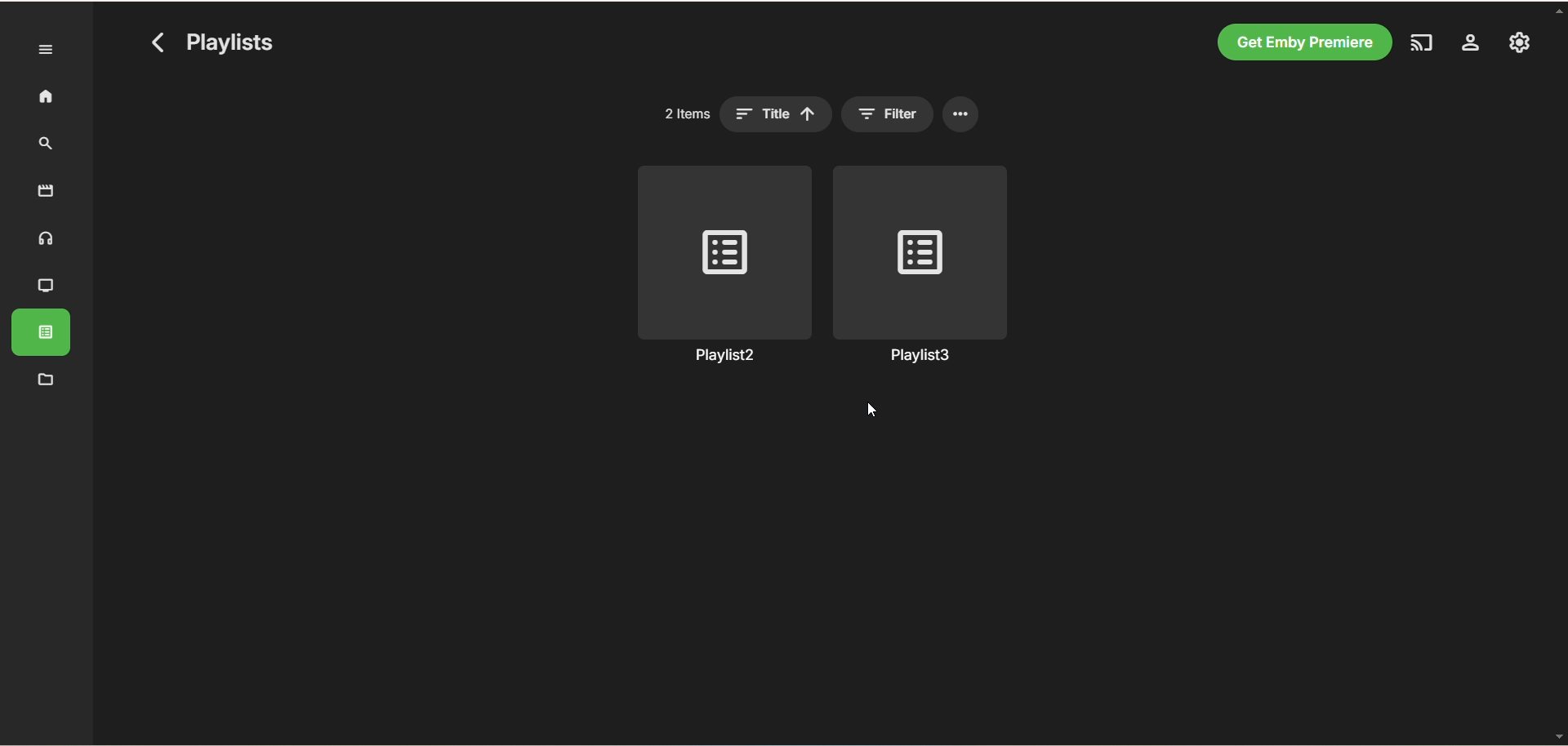 The image size is (1568, 746). Describe the element at coordinates (688, 113) in the screenshot. I see `total items` at that location.